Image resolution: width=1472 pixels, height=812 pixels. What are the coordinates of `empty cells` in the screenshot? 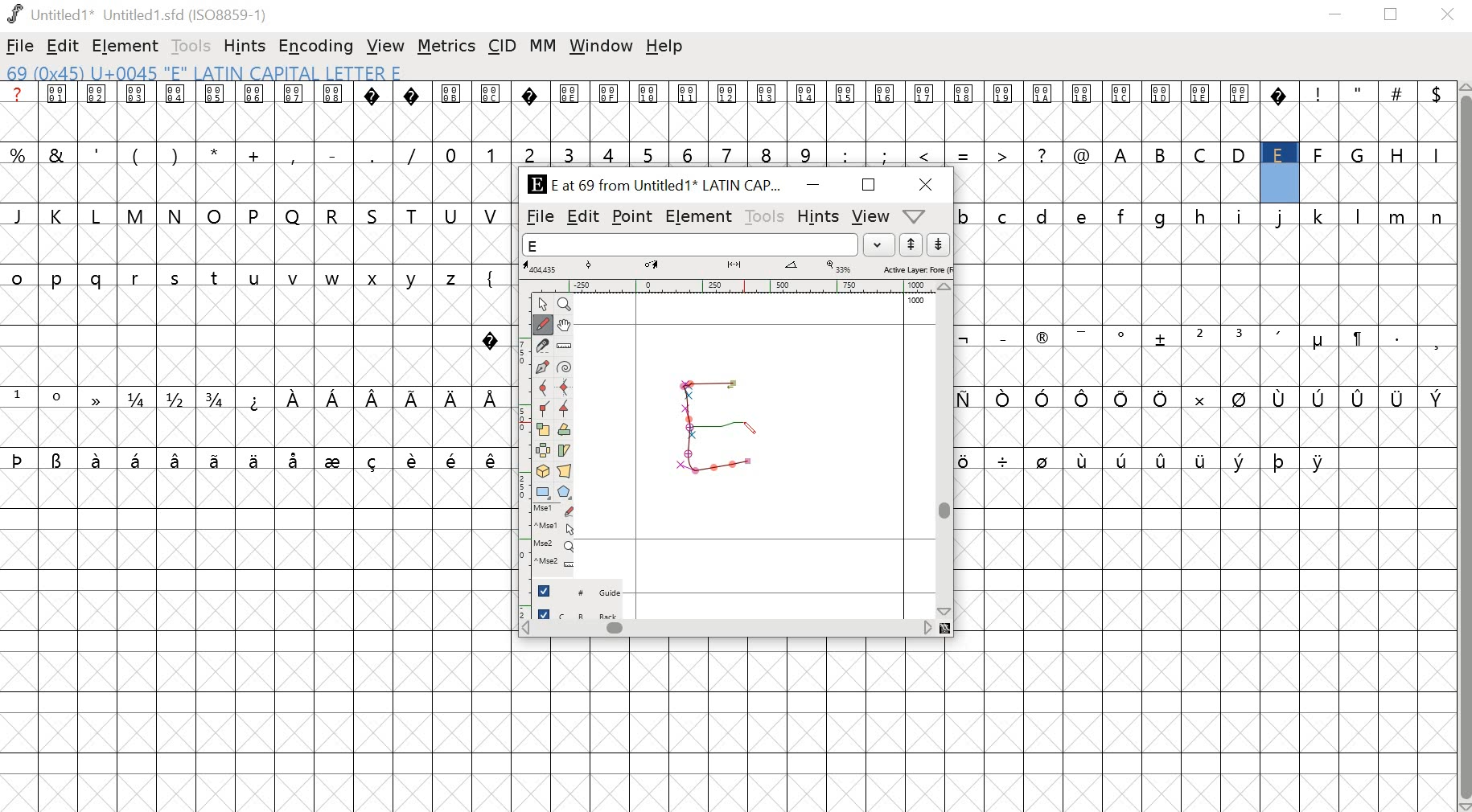 It's located at (239, 338).